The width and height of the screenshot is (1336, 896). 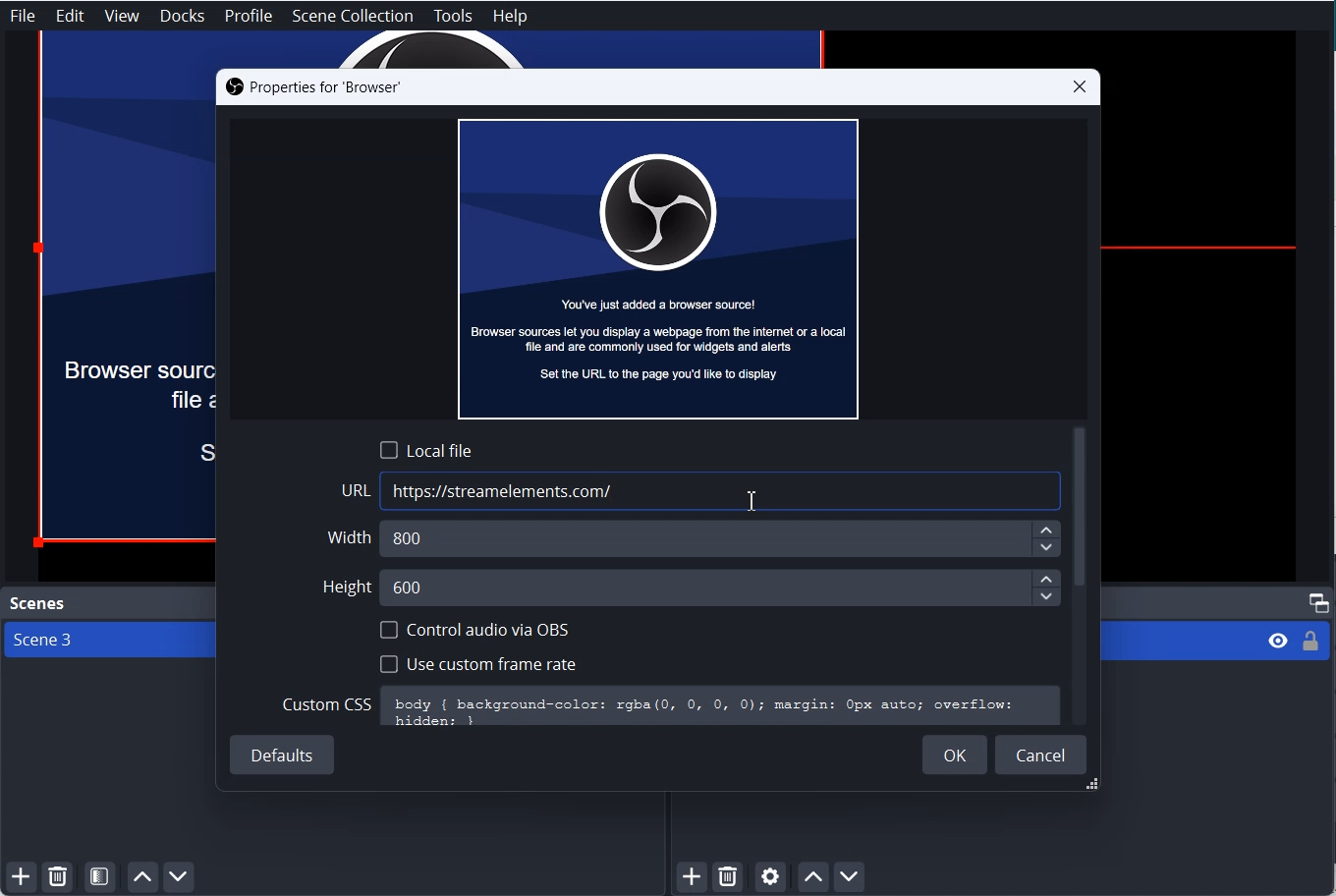 What do you see at coordinates (1319, 601) in the screenshot?
I see `Maximize` at bounding box center [1319, 601].